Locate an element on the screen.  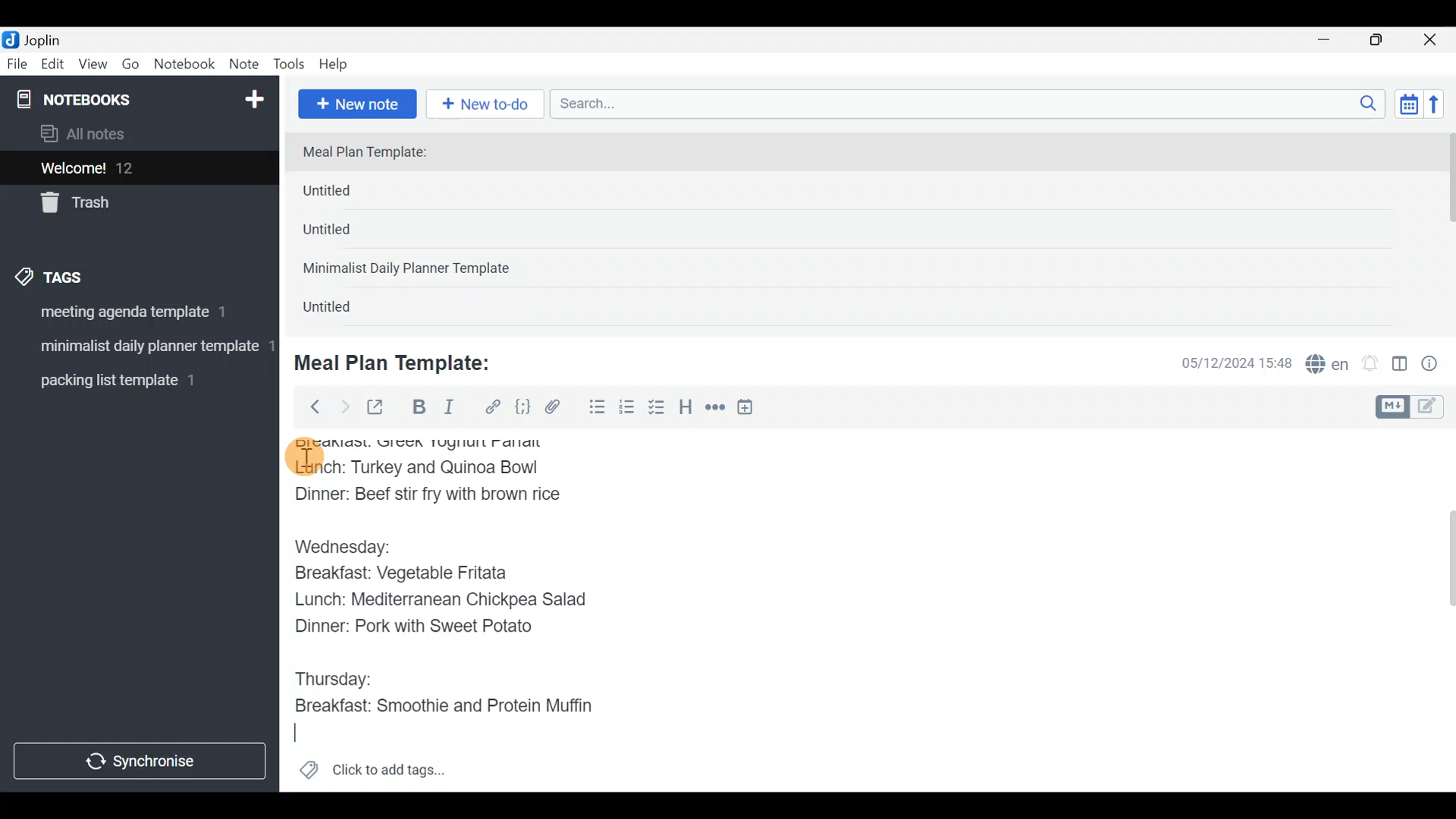
Set alarm is located at coordinates (1371, 365).